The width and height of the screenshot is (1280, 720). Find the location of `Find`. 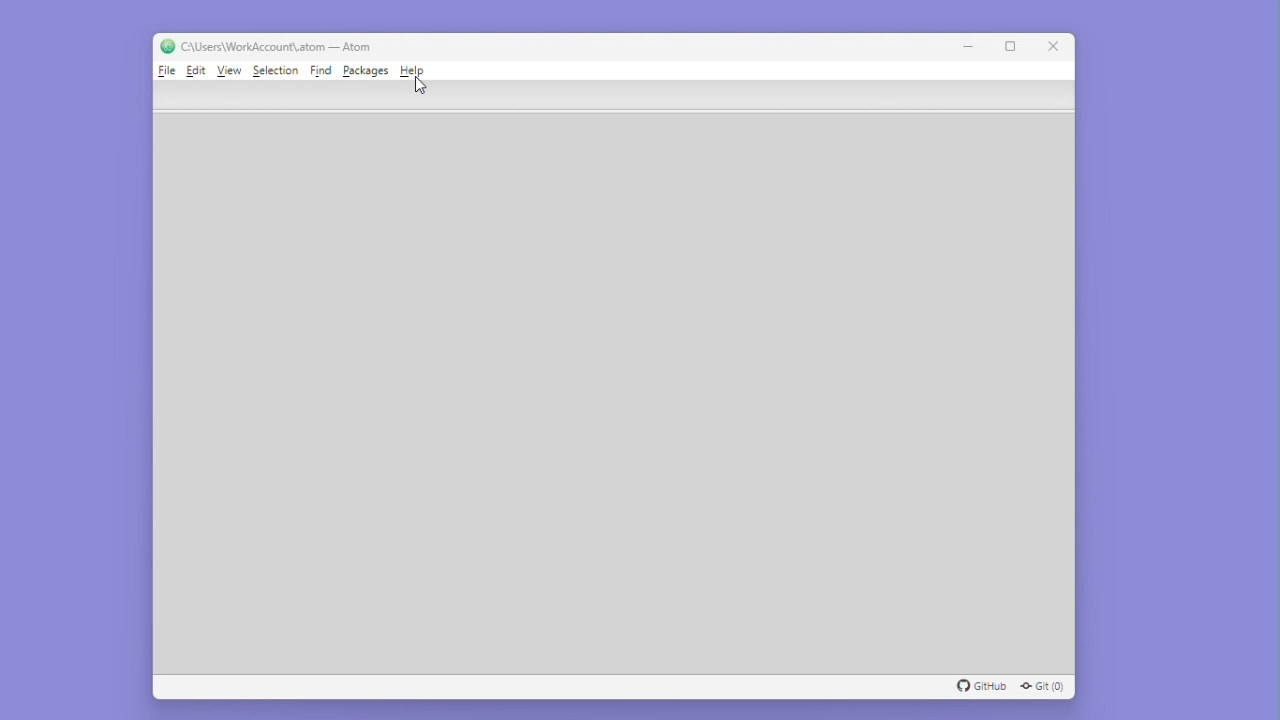

Find is located at coordinates (322, 71).